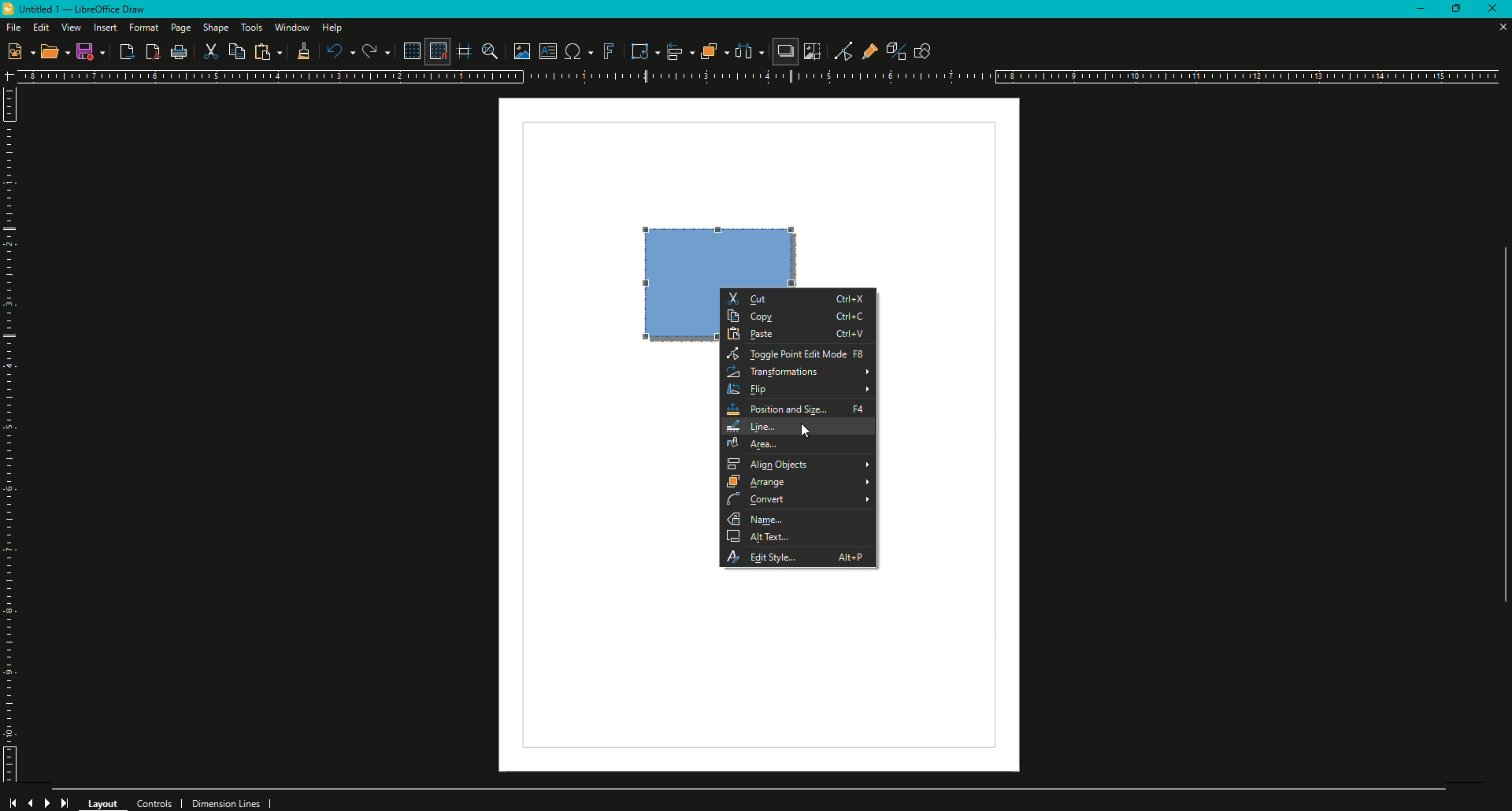 The width and height of the screenshot is (1512, 811). Describe the element at coordinates (334, 28) in the screenshot. I see `Help` at that location.